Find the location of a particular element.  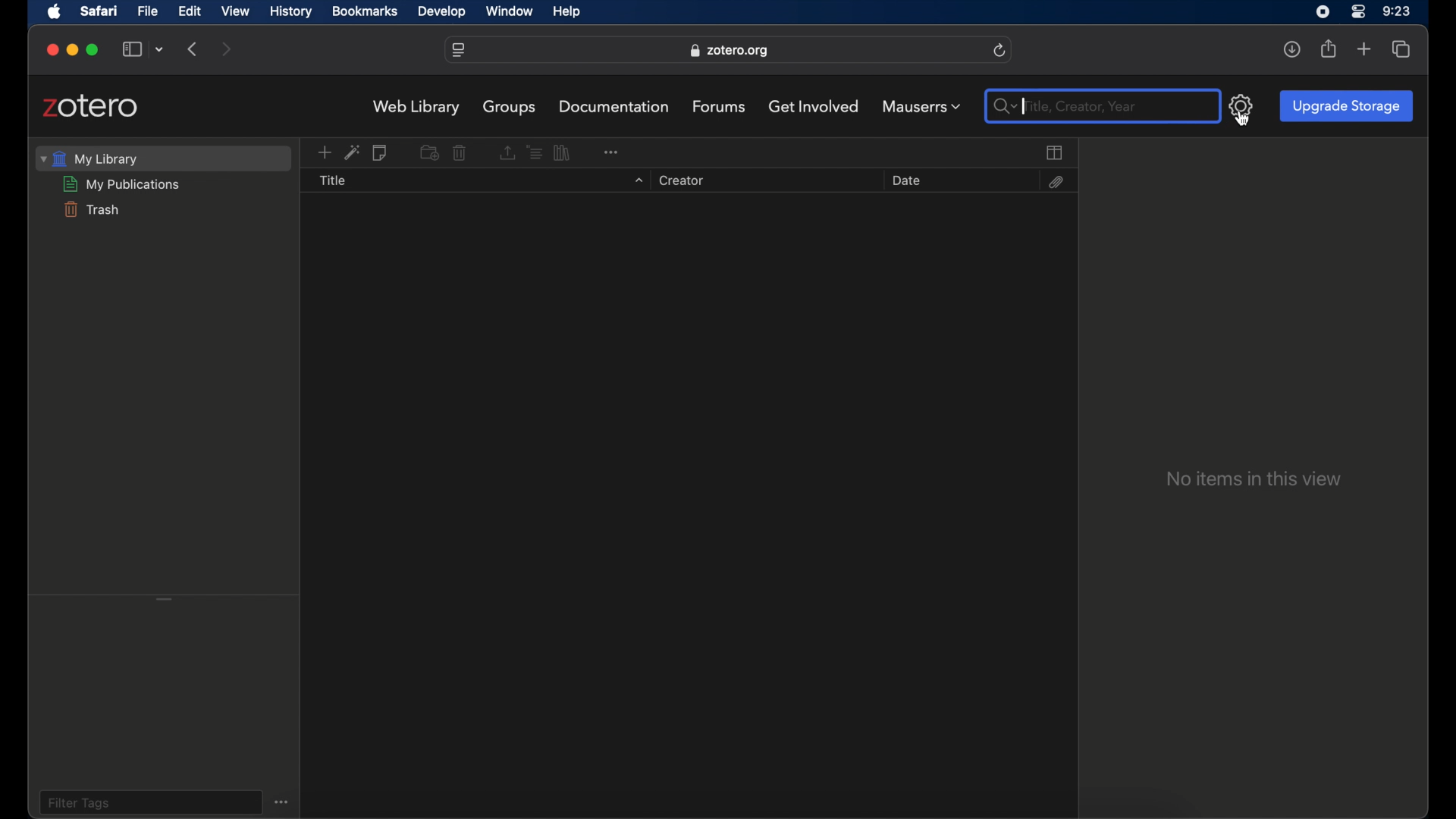

text cursor is located at coordinates (1025, 106).